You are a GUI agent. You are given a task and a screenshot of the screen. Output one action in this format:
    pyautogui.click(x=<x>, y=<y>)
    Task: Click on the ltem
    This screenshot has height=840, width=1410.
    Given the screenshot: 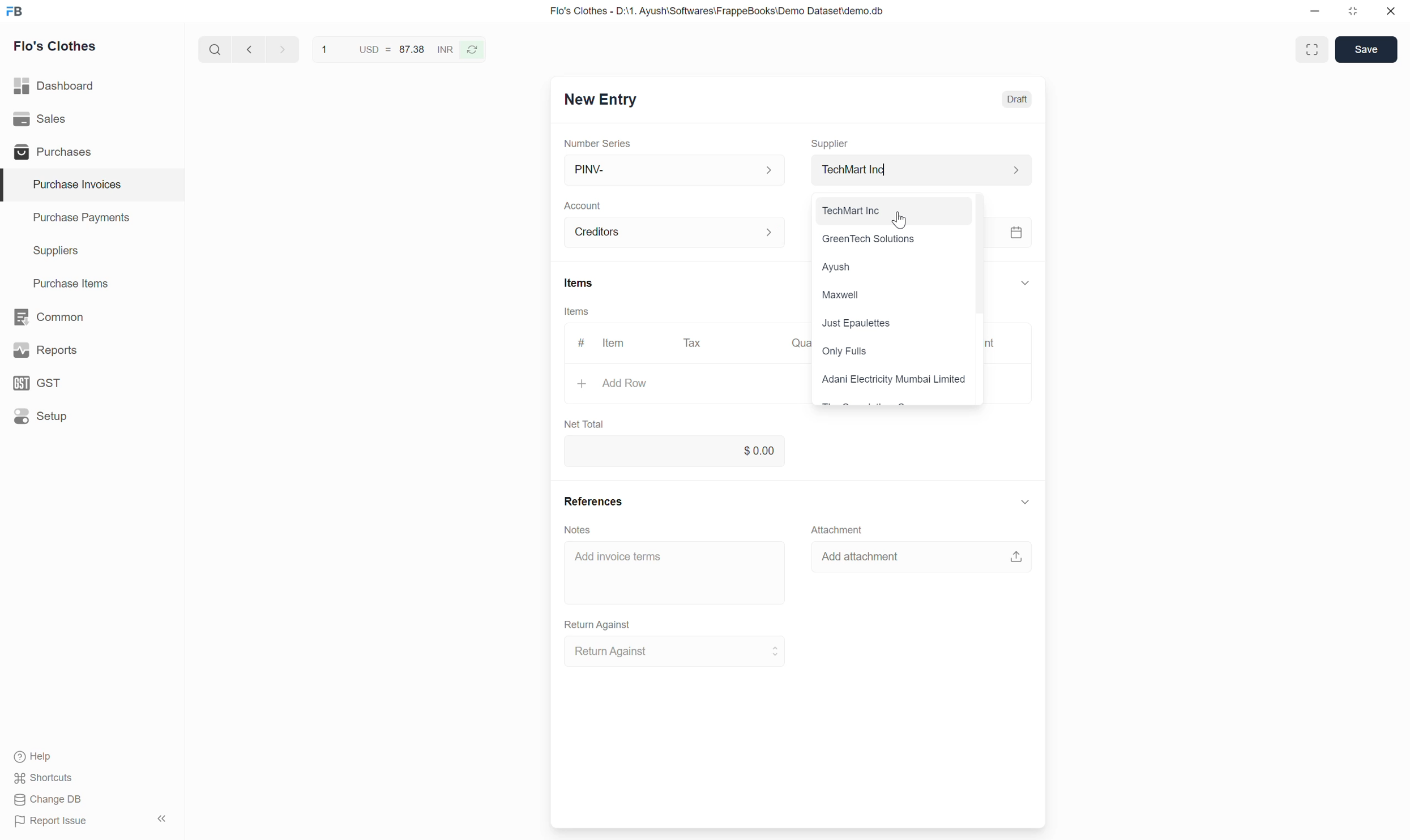 What is the action you would take?
    pyautogui.click(x=616, y=345)
    